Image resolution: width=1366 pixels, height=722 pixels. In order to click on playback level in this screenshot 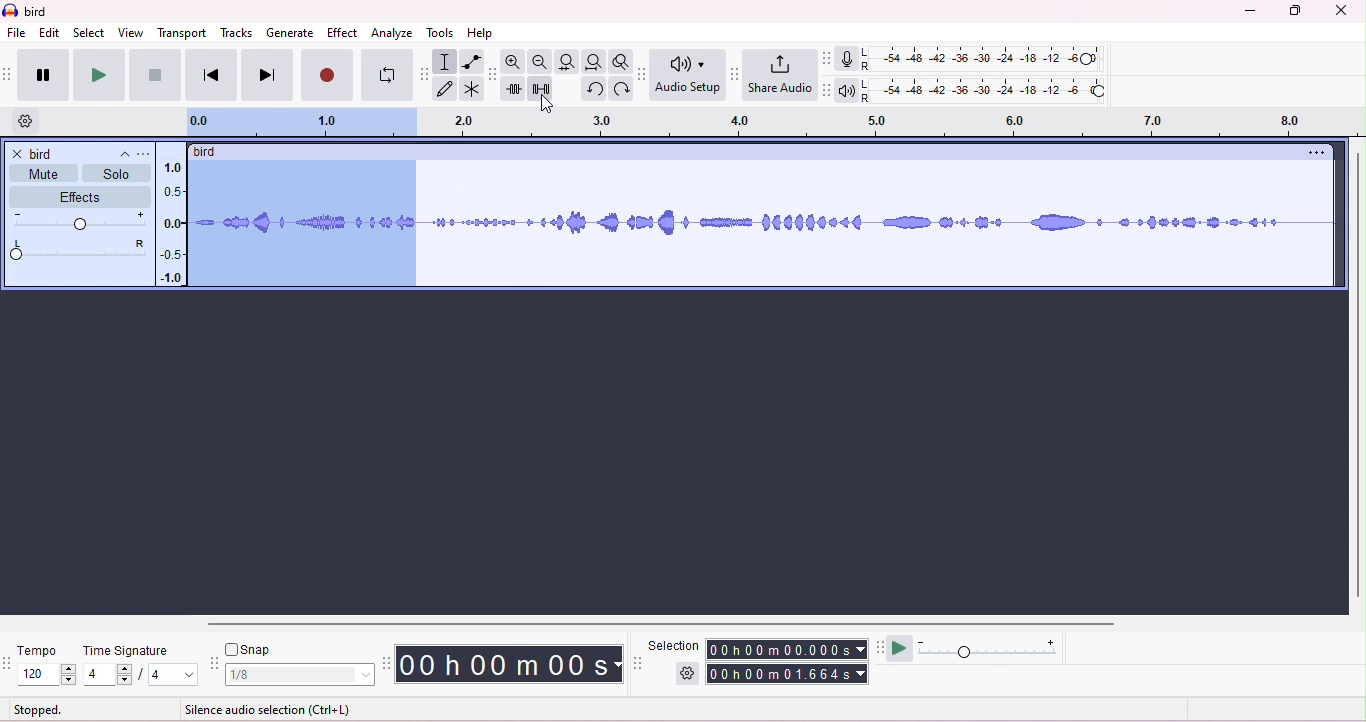, I will do `click(997, 90)`.